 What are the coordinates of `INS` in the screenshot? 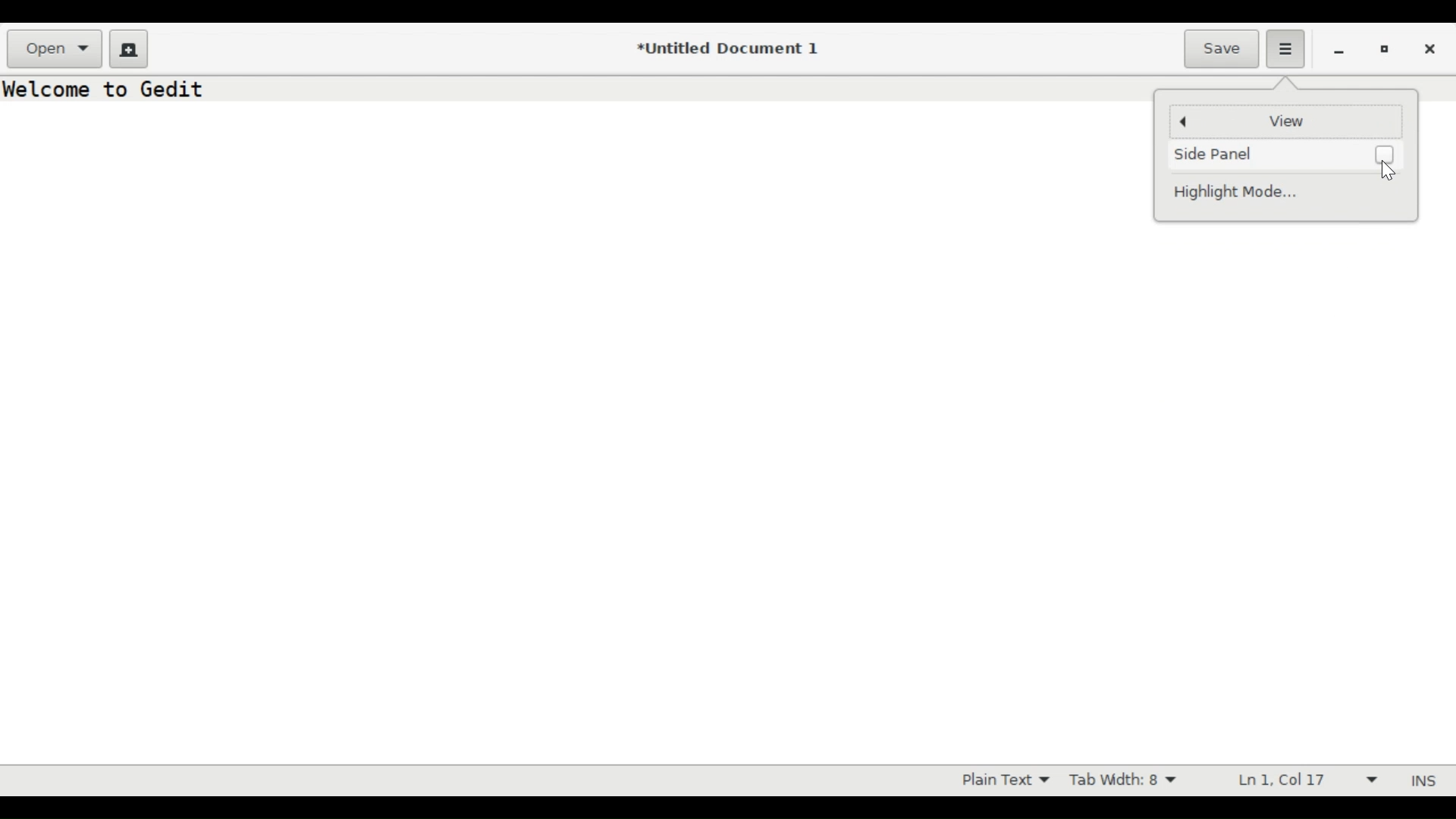 It's located at (1420, 780).